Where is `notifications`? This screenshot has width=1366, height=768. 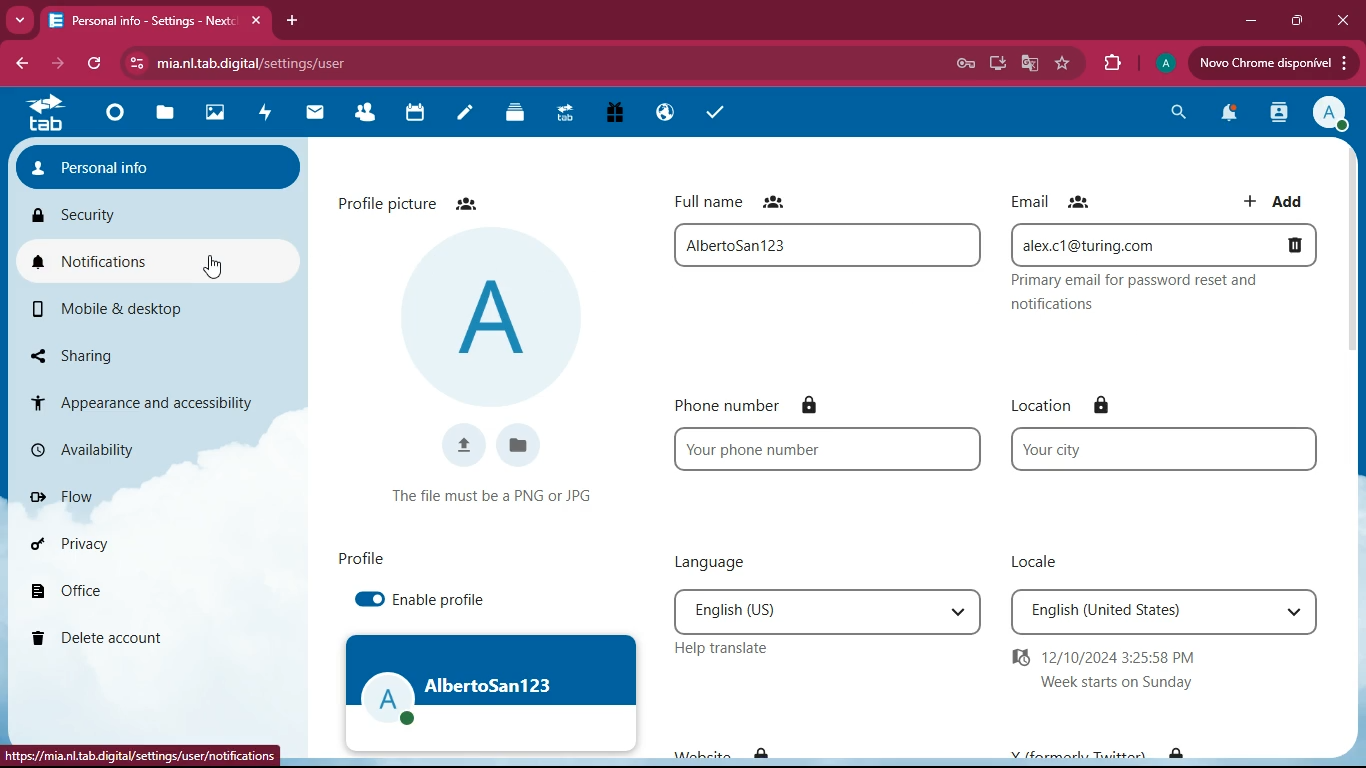 notifications is located at coordinates (157, 259).